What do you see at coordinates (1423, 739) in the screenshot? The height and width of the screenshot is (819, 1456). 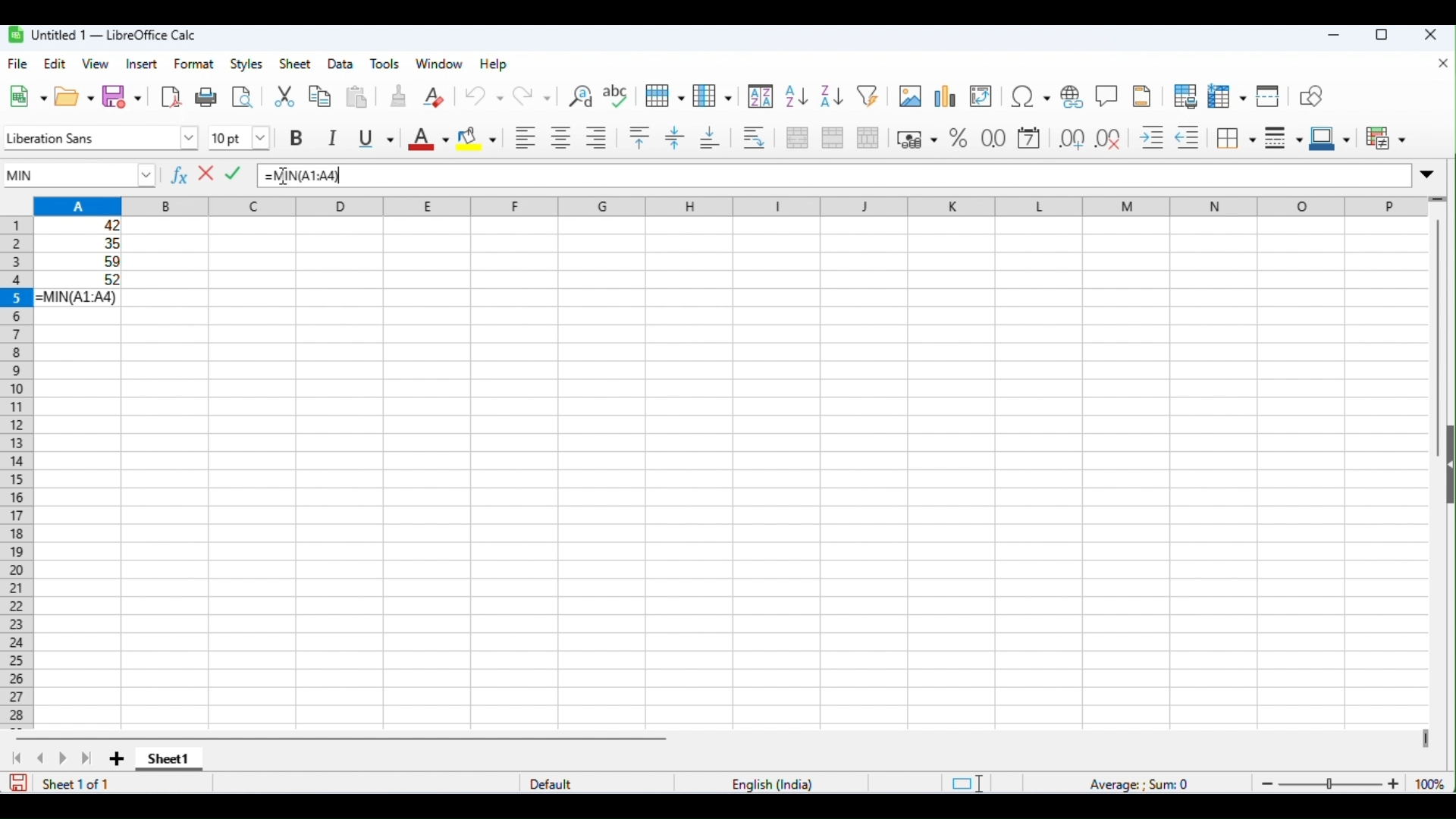 I see `drag to view next columns` at bounding box center [1423, 739].